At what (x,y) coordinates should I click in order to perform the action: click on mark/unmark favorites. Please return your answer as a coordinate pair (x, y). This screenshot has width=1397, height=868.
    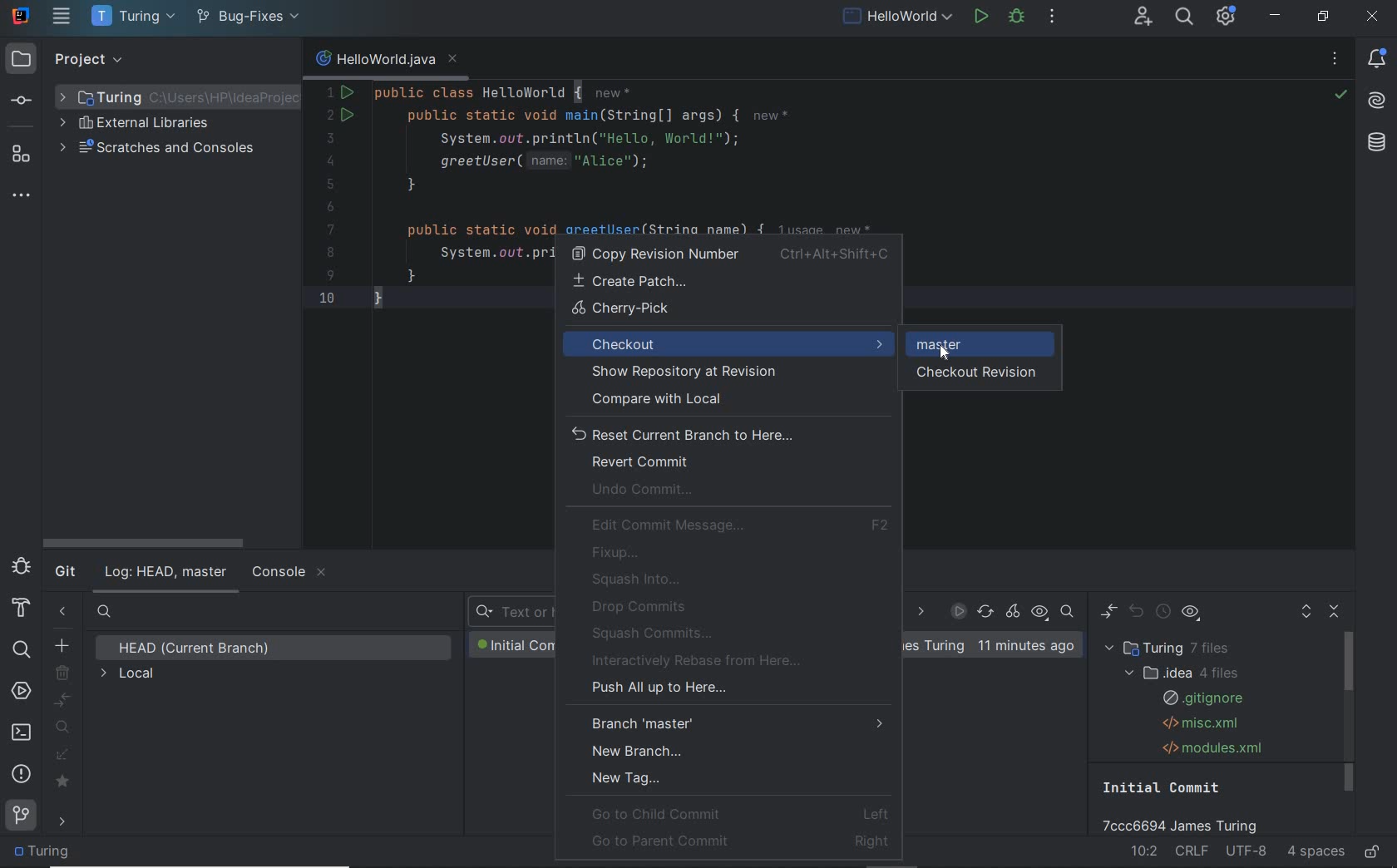
    Looking at the image, I should click on (66, 782).